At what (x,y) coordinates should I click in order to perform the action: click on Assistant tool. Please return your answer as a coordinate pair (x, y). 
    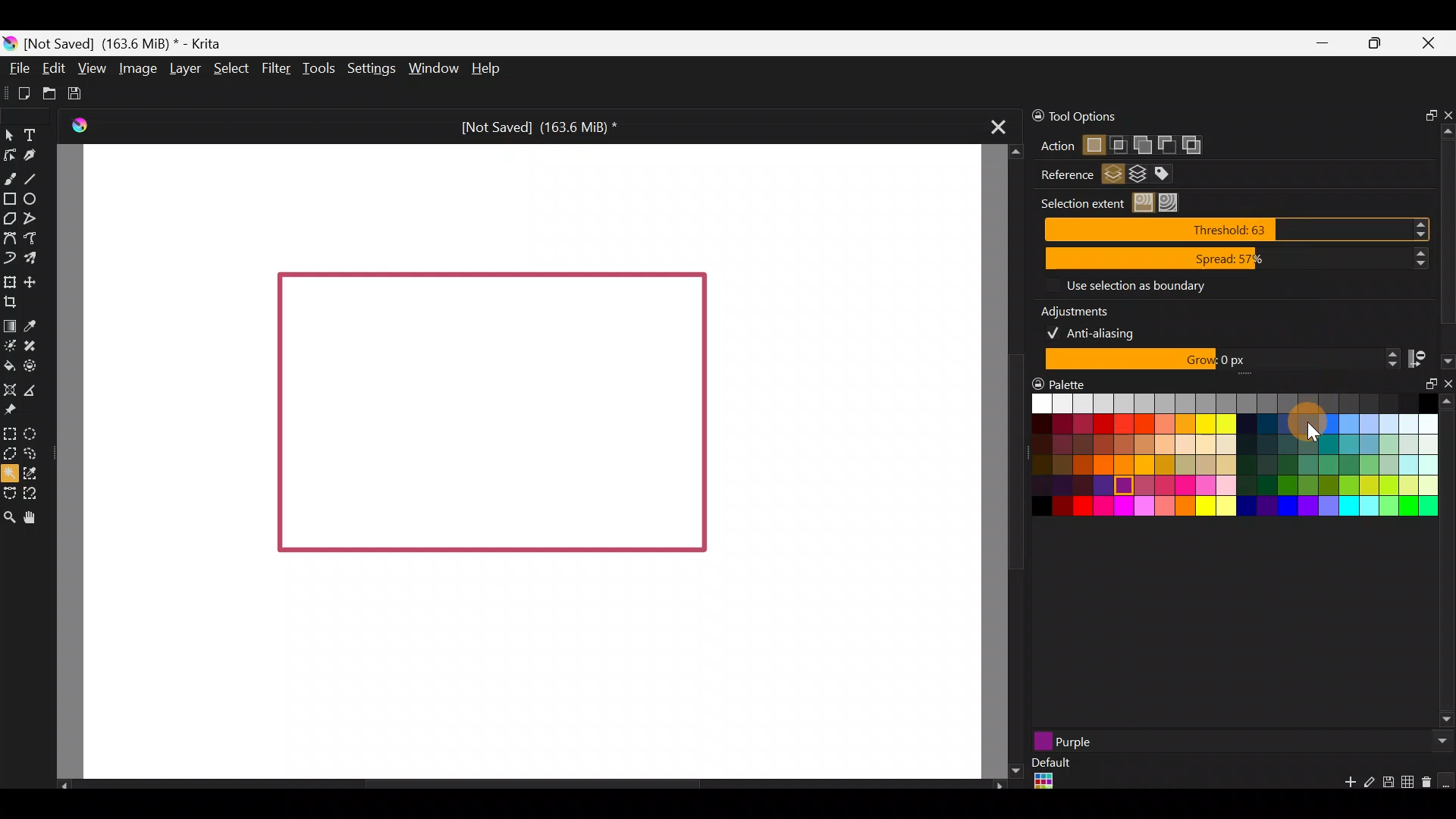
    Looking at the image, I should click on (10, 388).